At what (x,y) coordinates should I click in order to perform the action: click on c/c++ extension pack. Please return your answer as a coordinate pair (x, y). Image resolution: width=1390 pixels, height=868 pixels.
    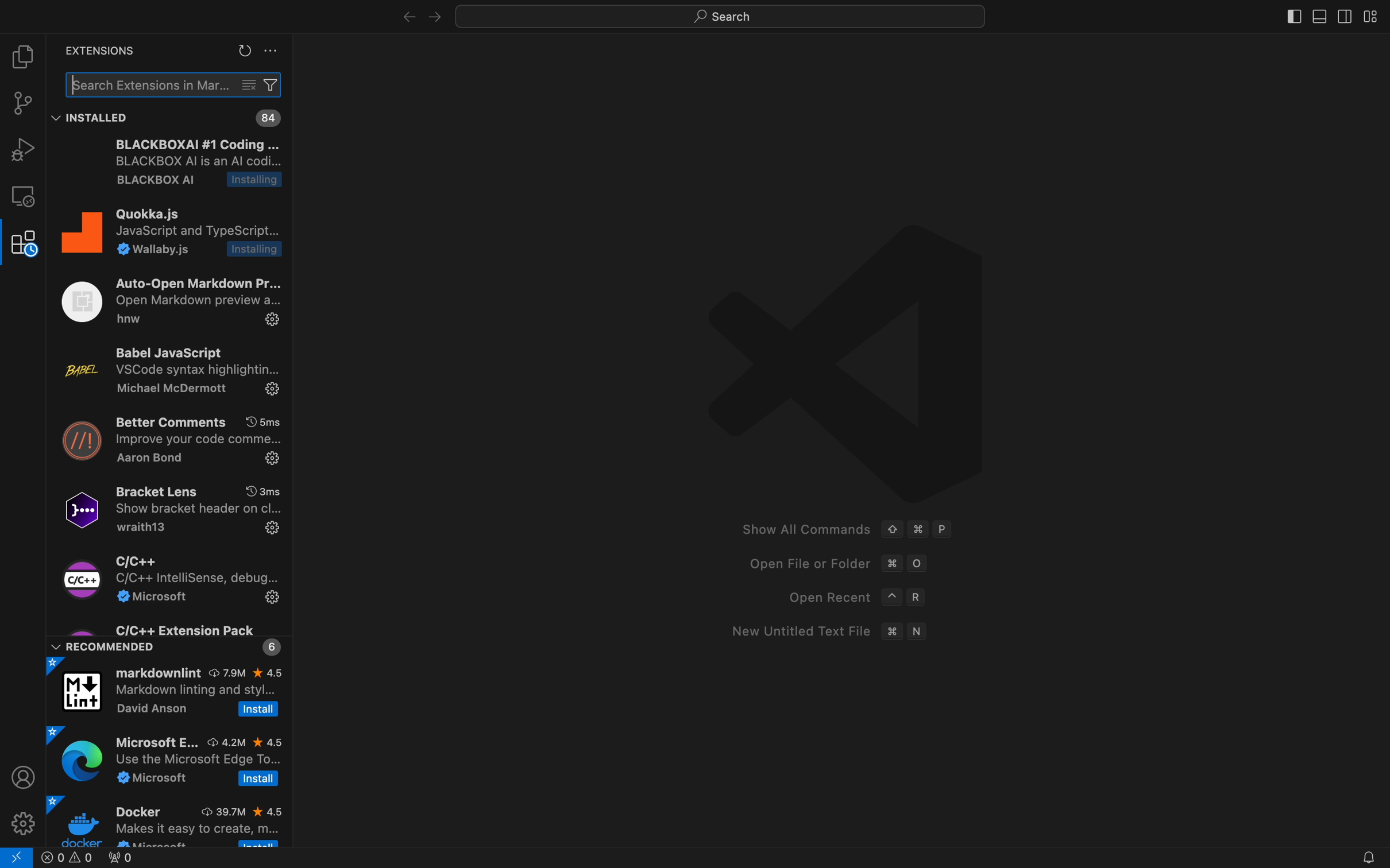
    Looking at the image, I should click on (169, 638).